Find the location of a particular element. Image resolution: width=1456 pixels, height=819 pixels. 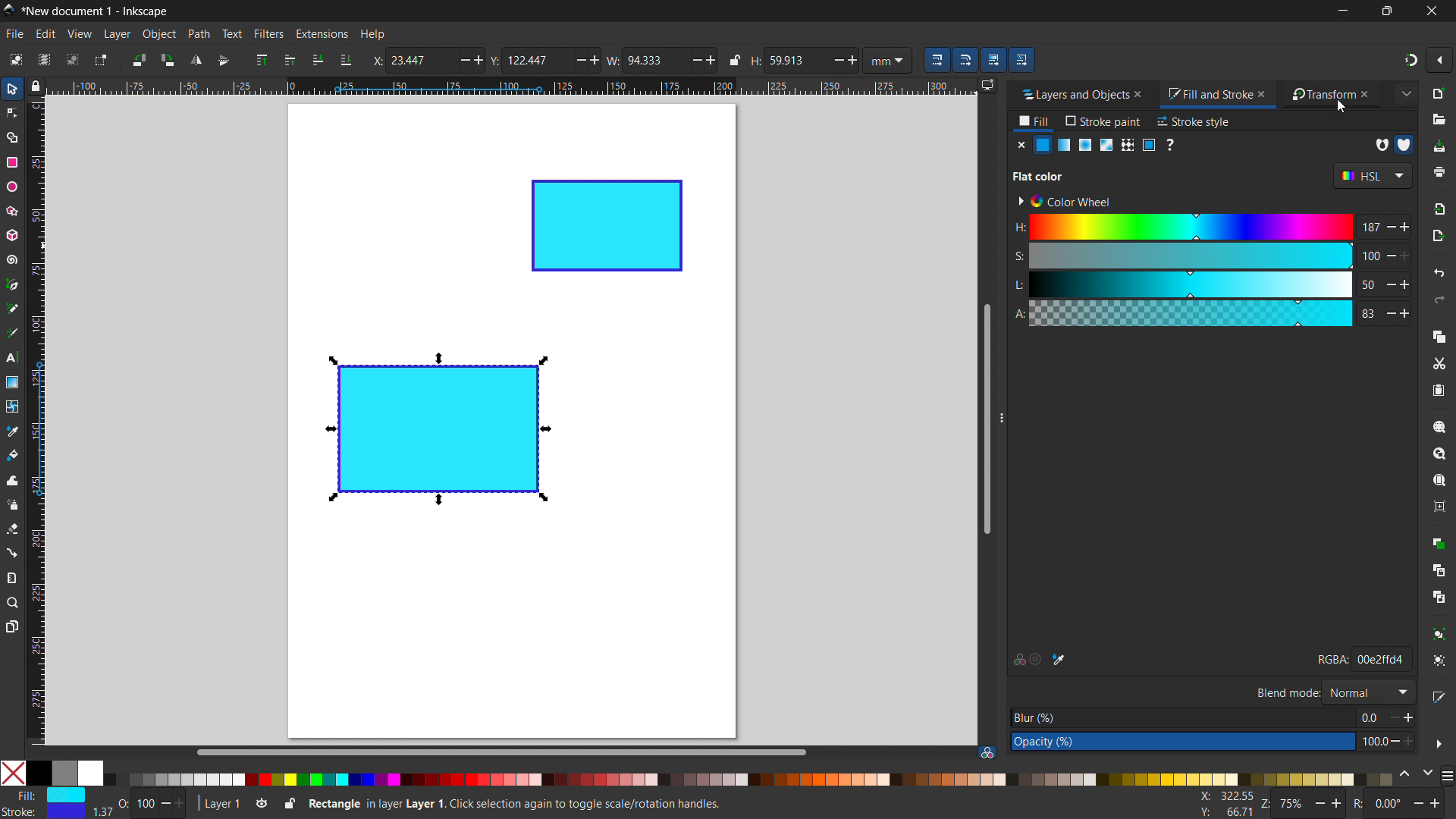

flip horizontal is located at coordinates (195, 60).